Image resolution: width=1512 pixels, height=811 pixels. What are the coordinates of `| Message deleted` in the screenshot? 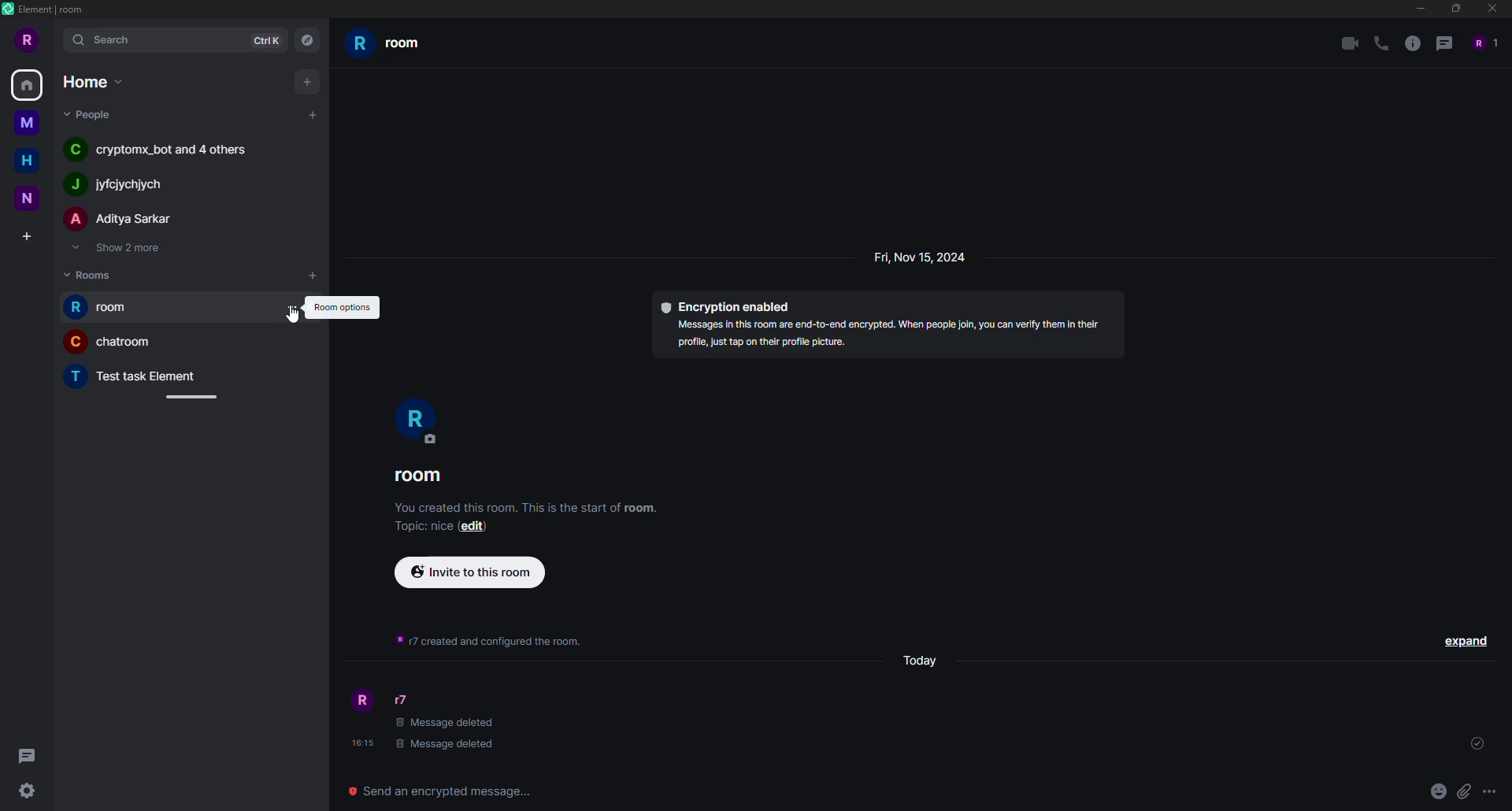 It's located at (447, 746).